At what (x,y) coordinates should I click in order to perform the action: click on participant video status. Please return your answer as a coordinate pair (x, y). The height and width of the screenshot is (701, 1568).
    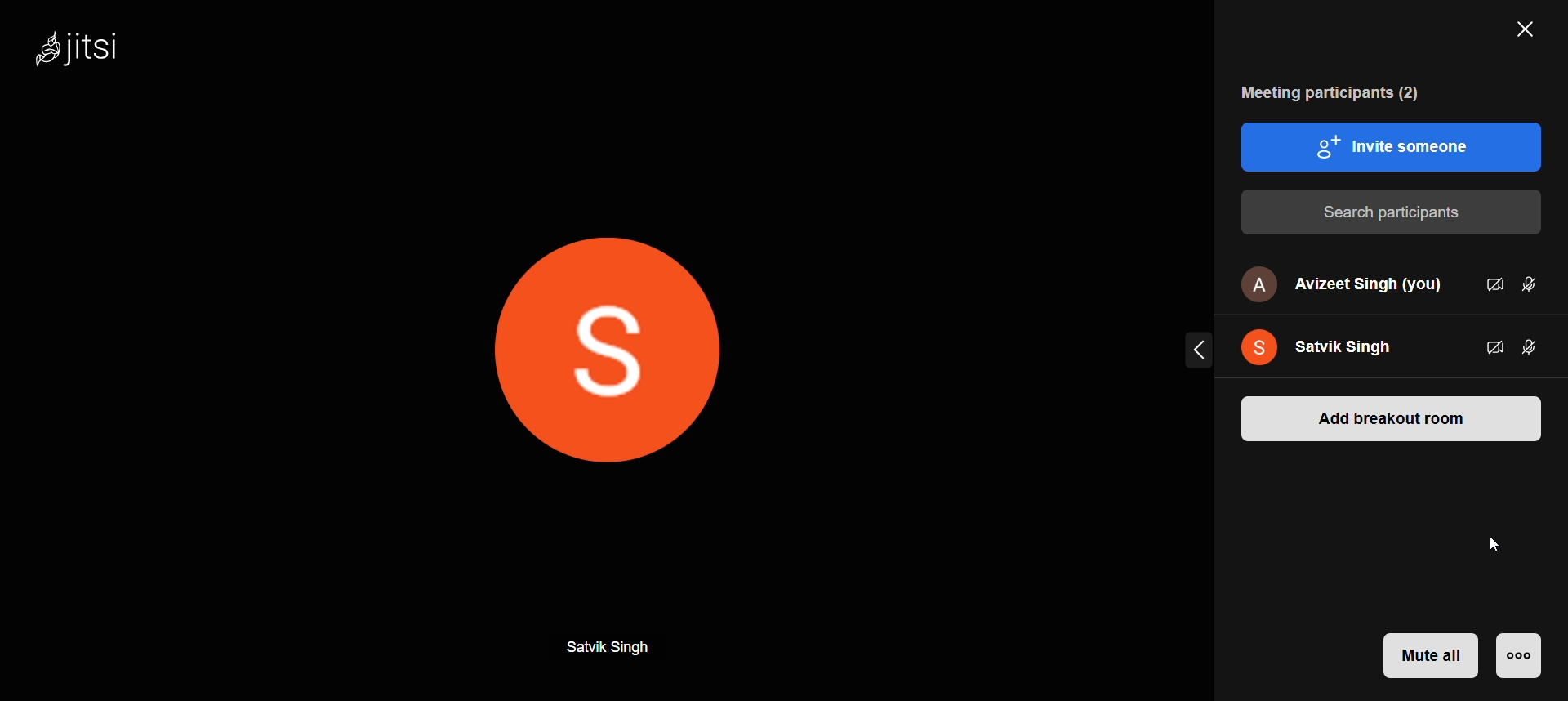
    Looking at the image, I should click on (1490, 345).